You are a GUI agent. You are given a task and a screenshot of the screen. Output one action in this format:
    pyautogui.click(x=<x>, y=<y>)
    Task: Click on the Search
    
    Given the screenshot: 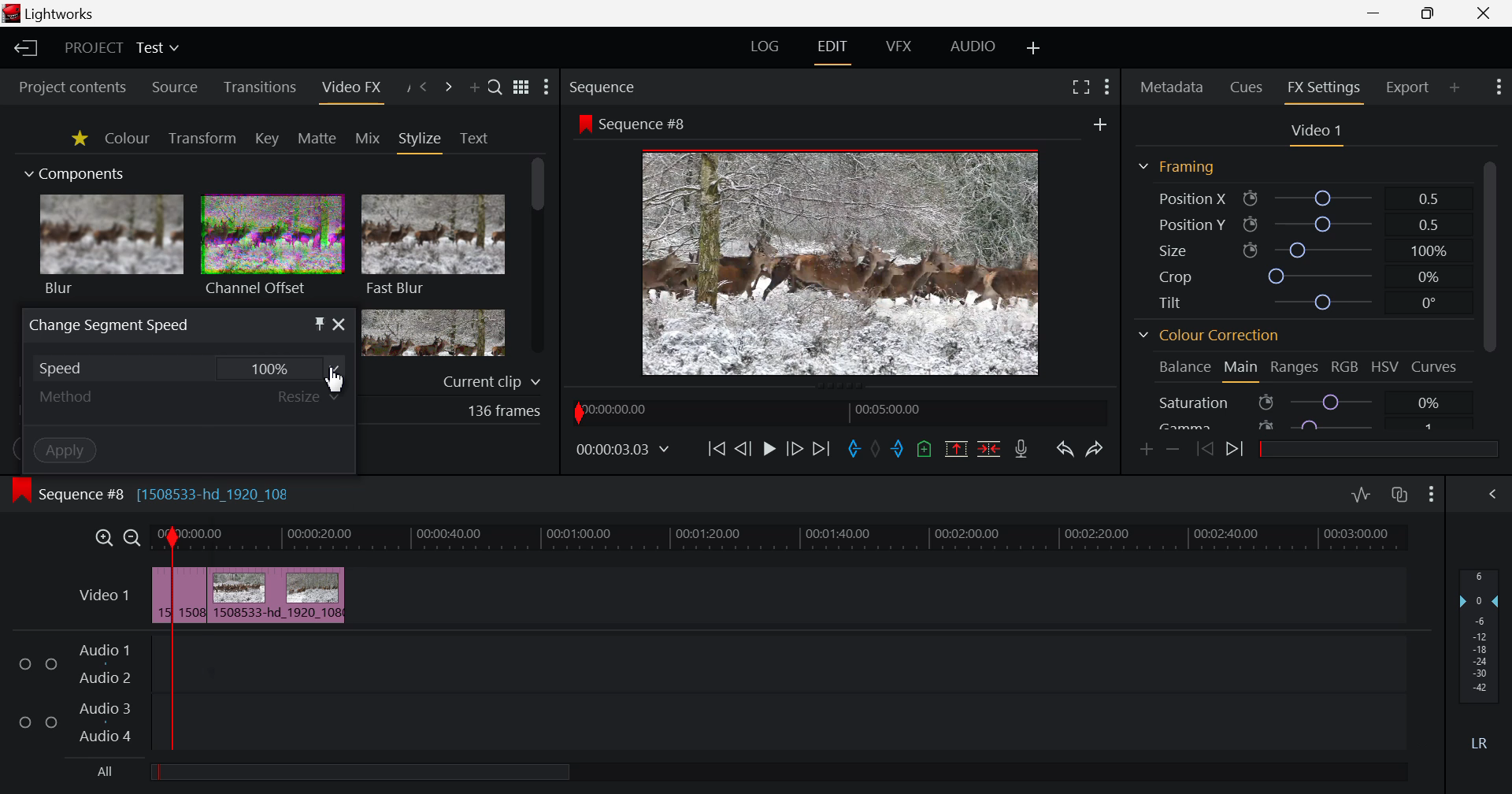 What is the action you would take?
    pyautogui.click(x=496, y=88)
    